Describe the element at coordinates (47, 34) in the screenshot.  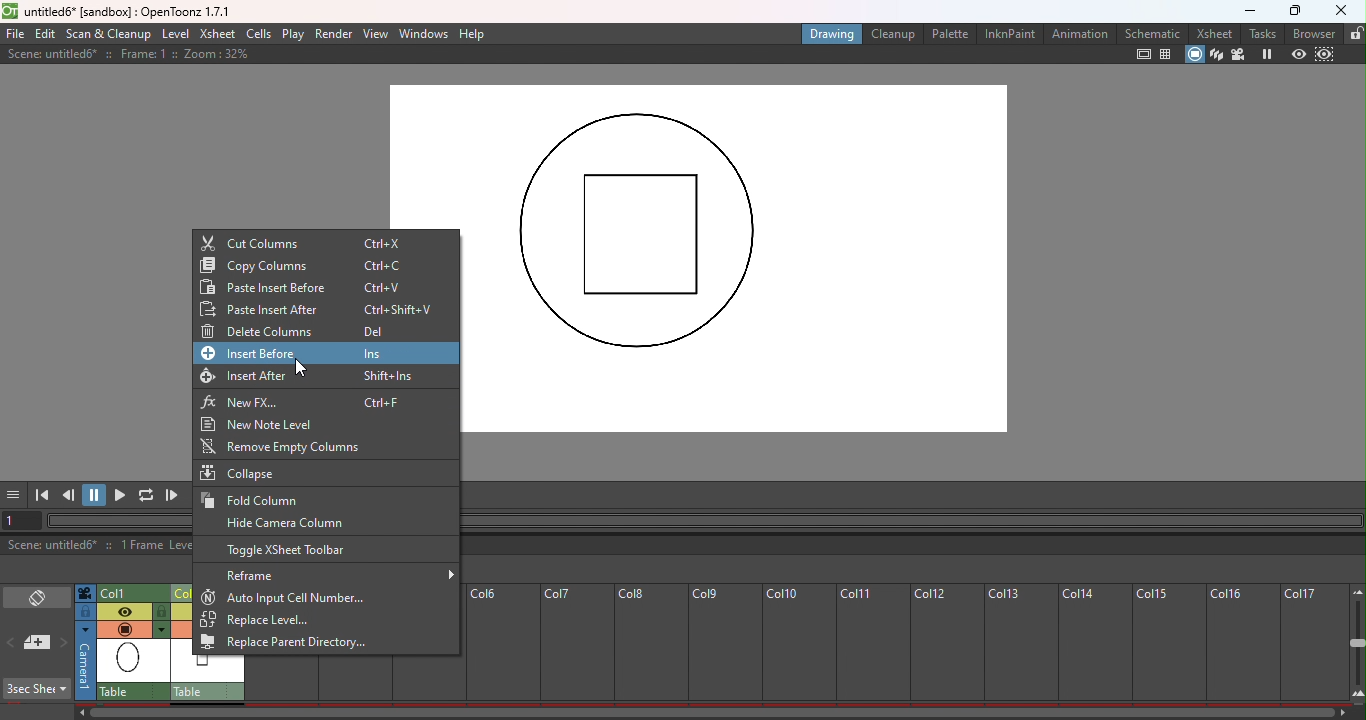
I see `Edit` at that location.